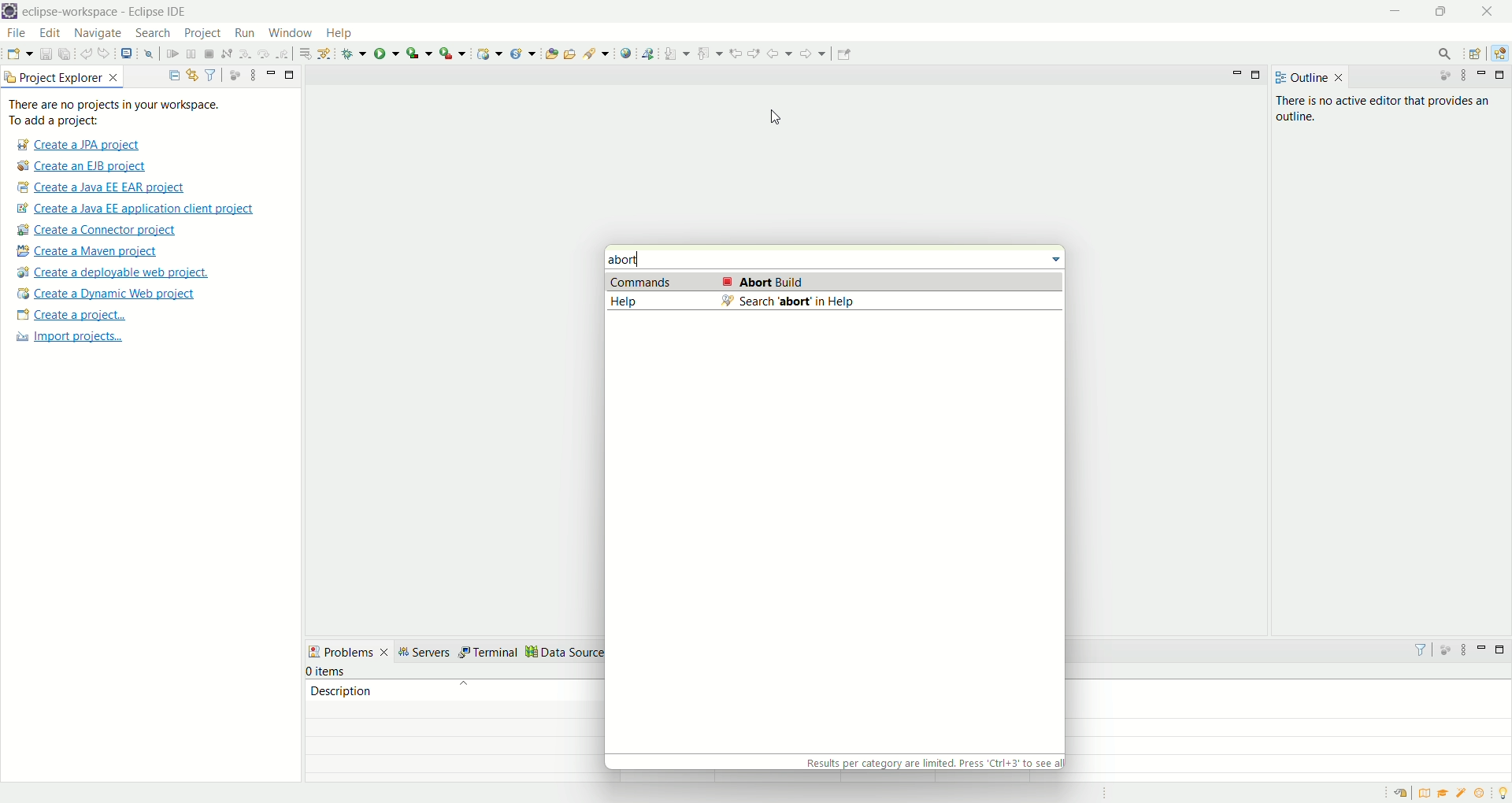 Image resolution: width=1512 pixels, height=803 pixels. Describe the element at coordinates (18, 54) in the screenshot. I see `new` at that location.